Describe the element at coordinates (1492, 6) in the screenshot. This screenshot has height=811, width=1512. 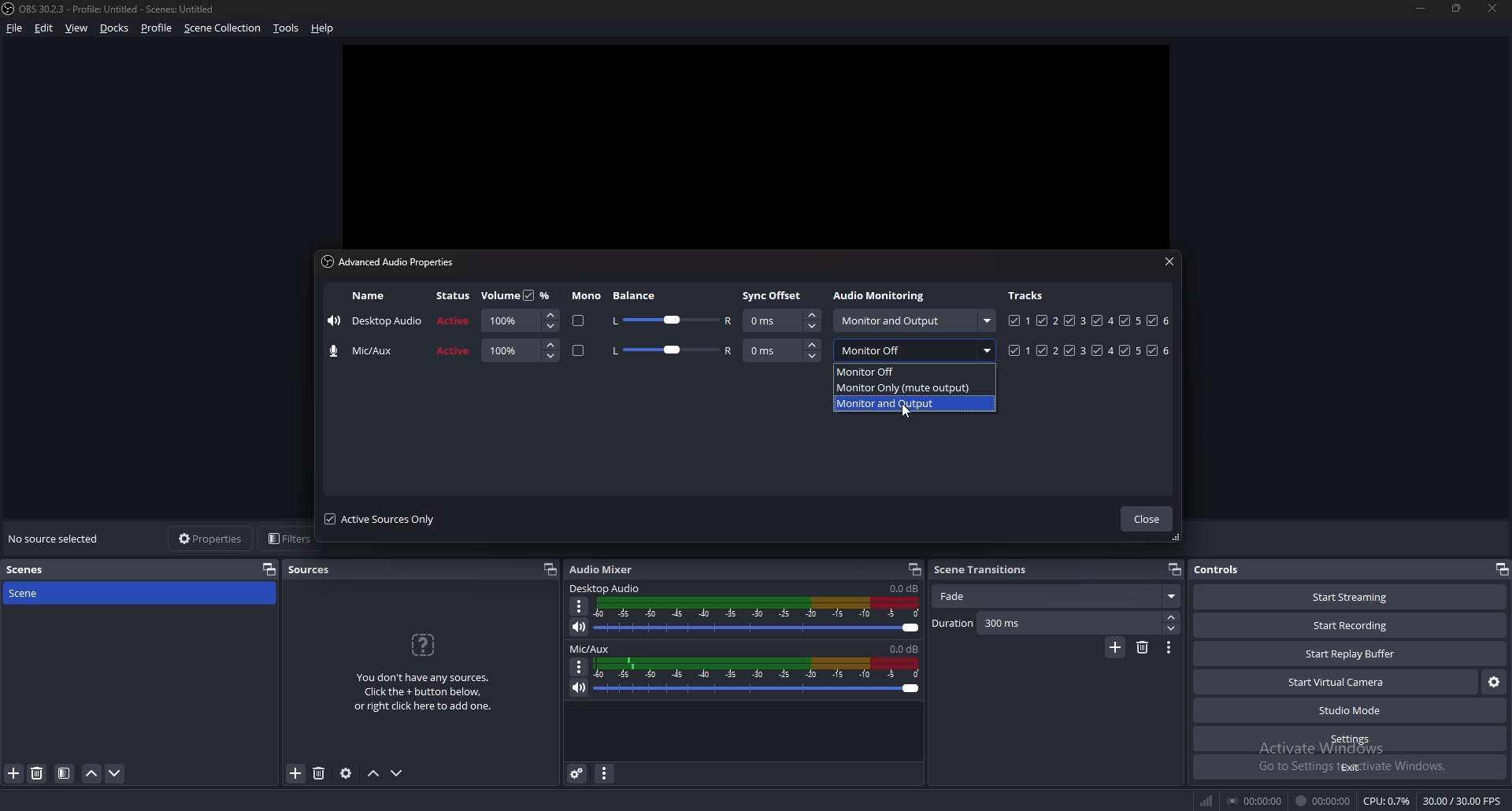
I see `close` at that location.